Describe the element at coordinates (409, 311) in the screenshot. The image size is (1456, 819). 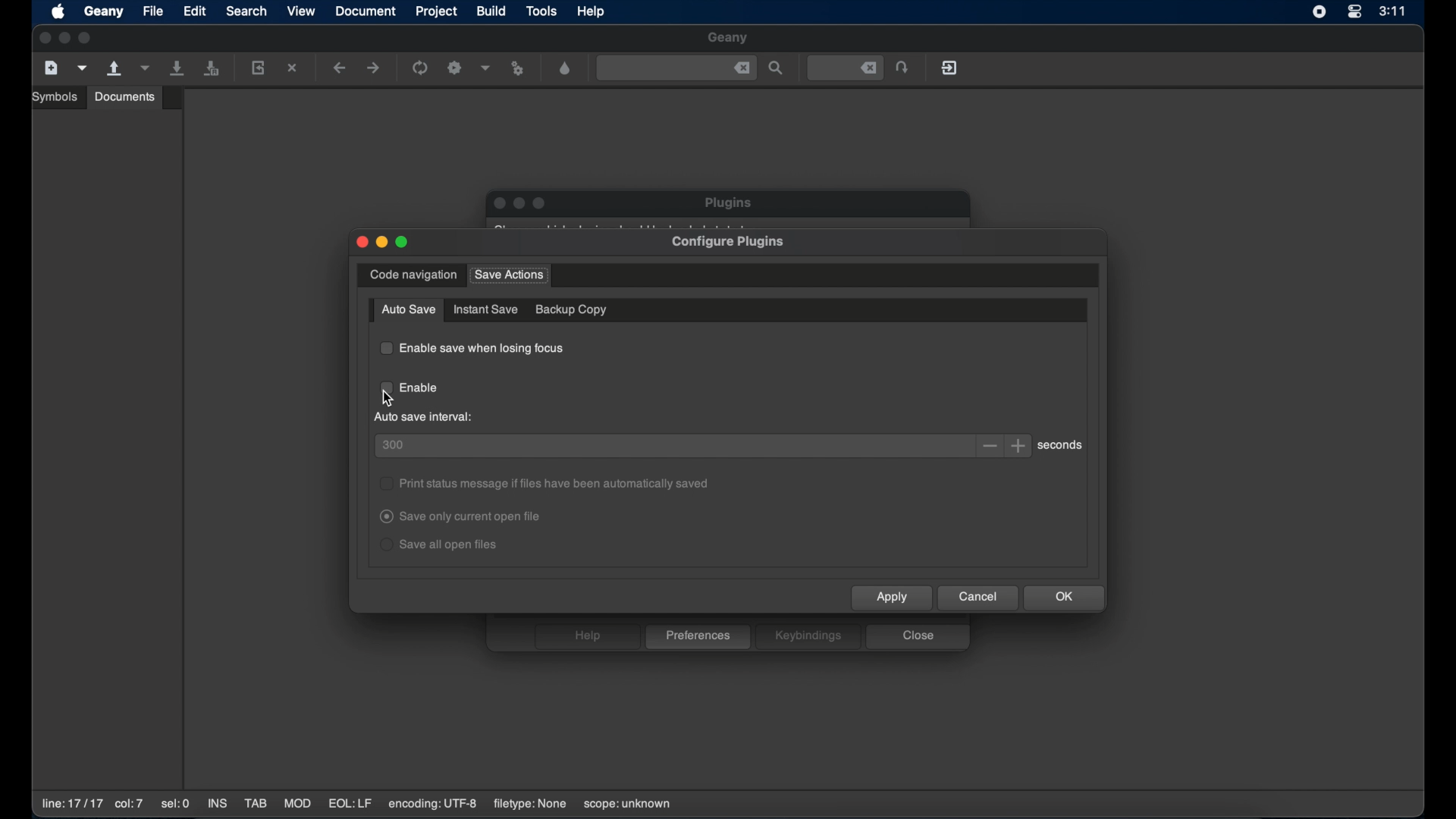
I see `auto save` at that location.